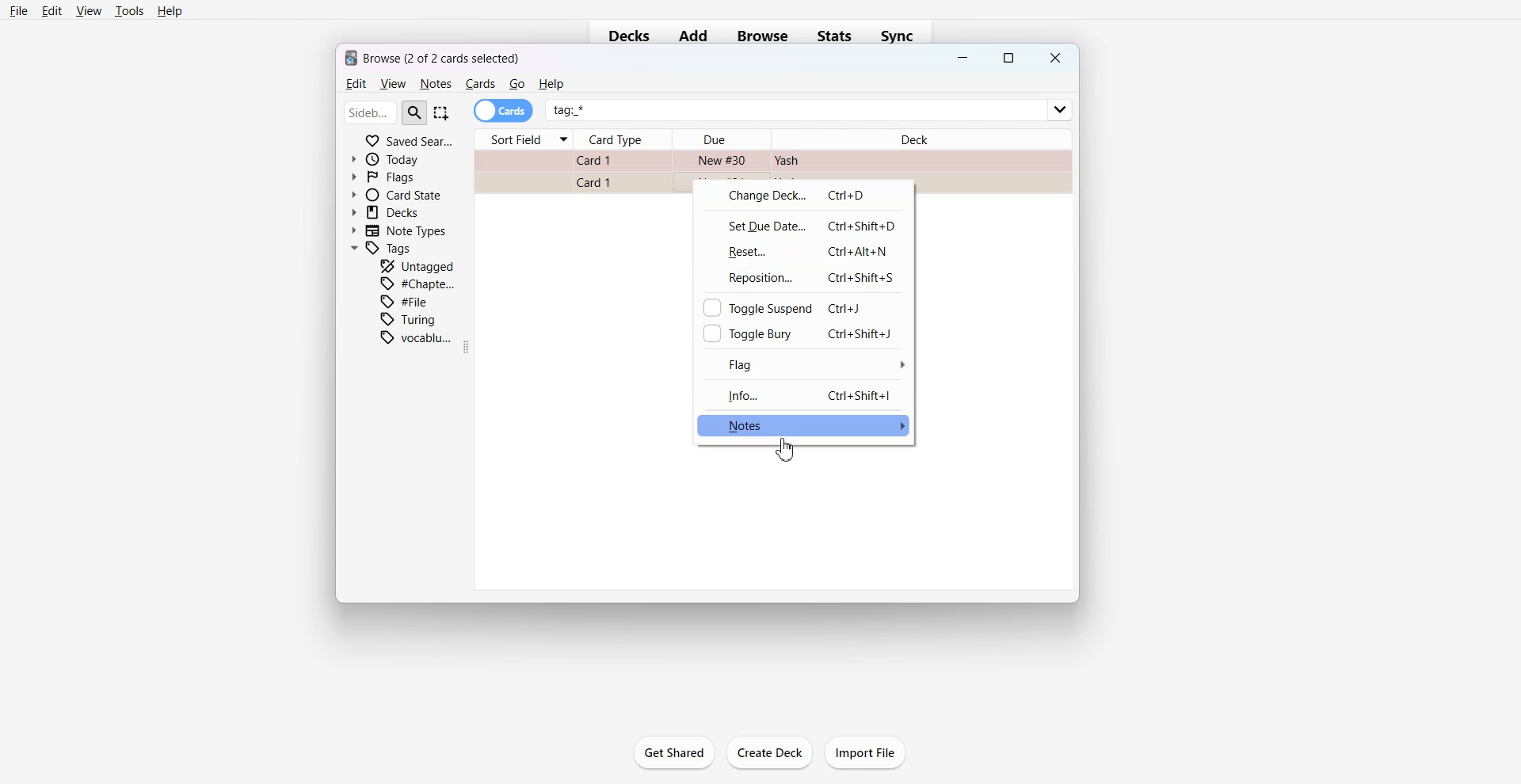 This screenshot has width=1521, height=784. What do you see at coordinates (443, 112) in the screenshot?
I see `Select Item` at bounding box center [443, 112].